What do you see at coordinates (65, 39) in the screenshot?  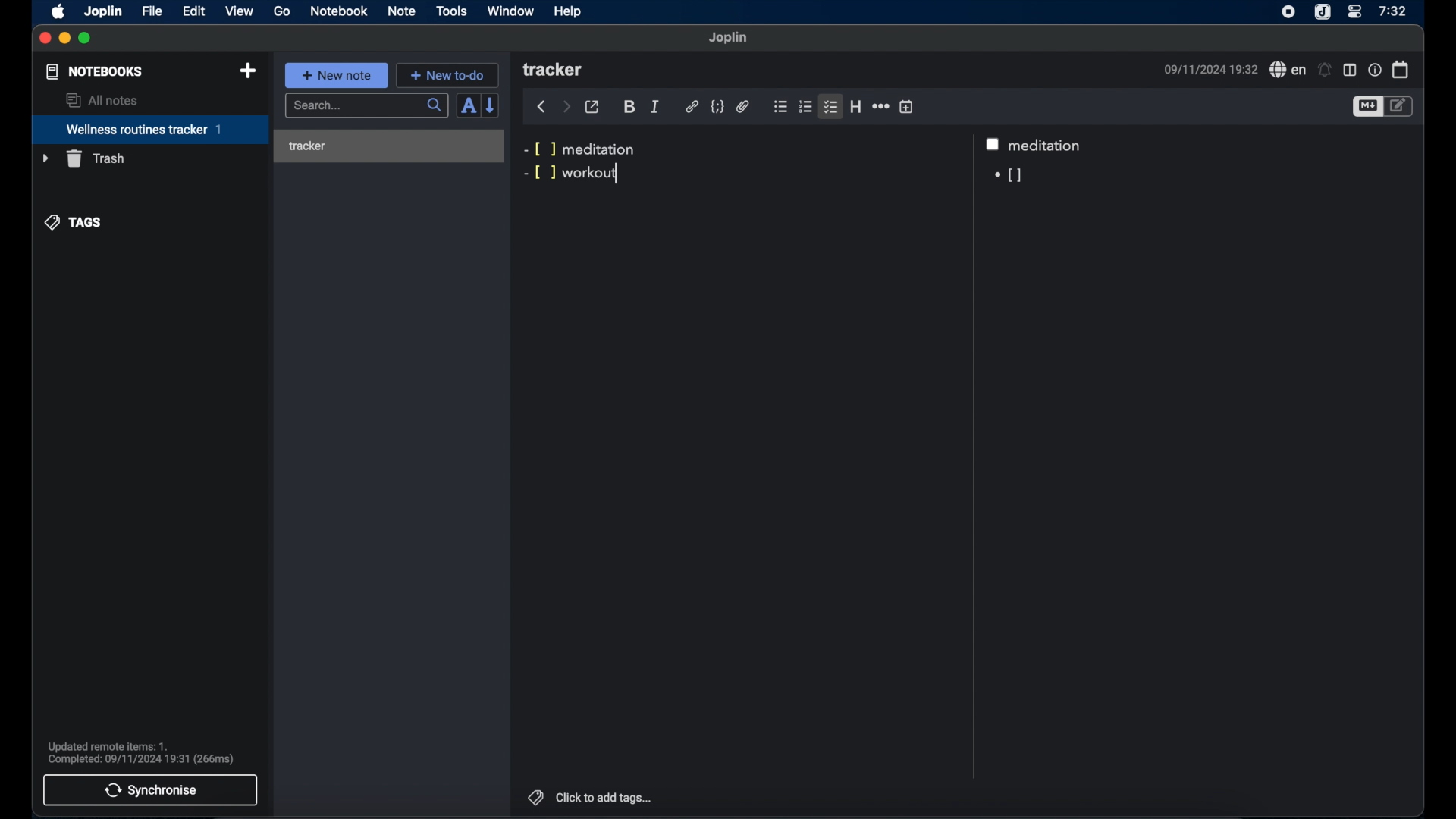 I see `minimize` at bounding box center [65, 39].